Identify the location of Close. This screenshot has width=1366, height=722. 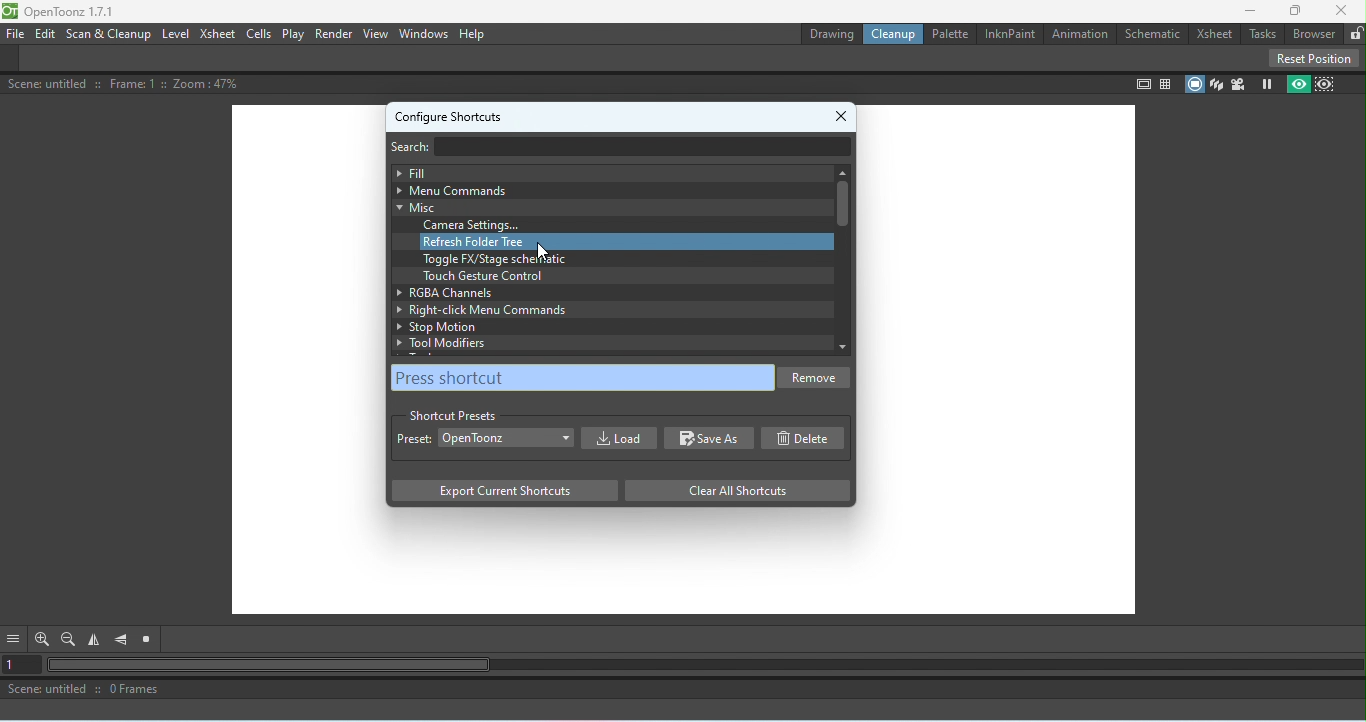
(1342, 10).